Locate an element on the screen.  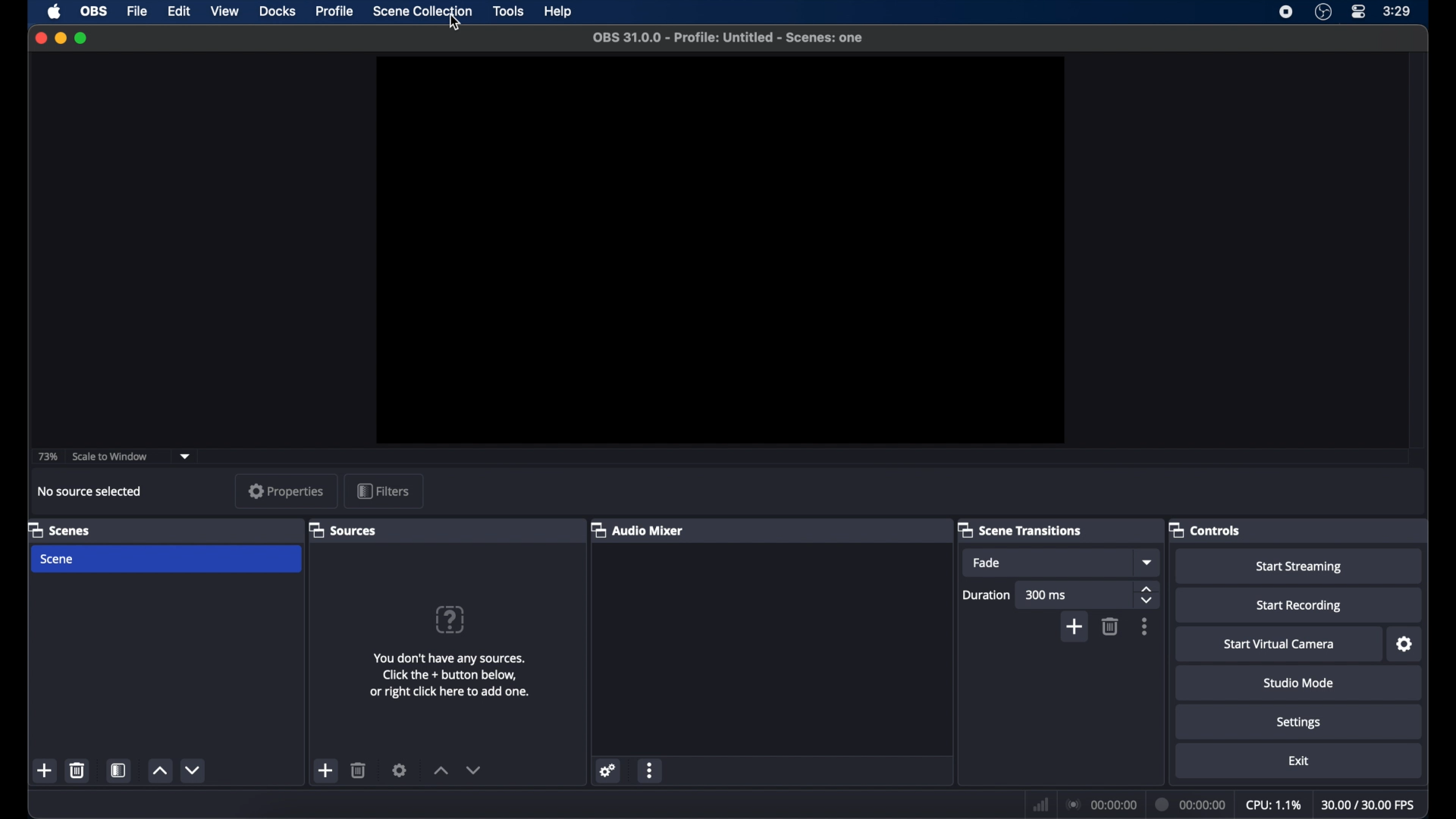
300ms is located at coordinates (1046, 595).